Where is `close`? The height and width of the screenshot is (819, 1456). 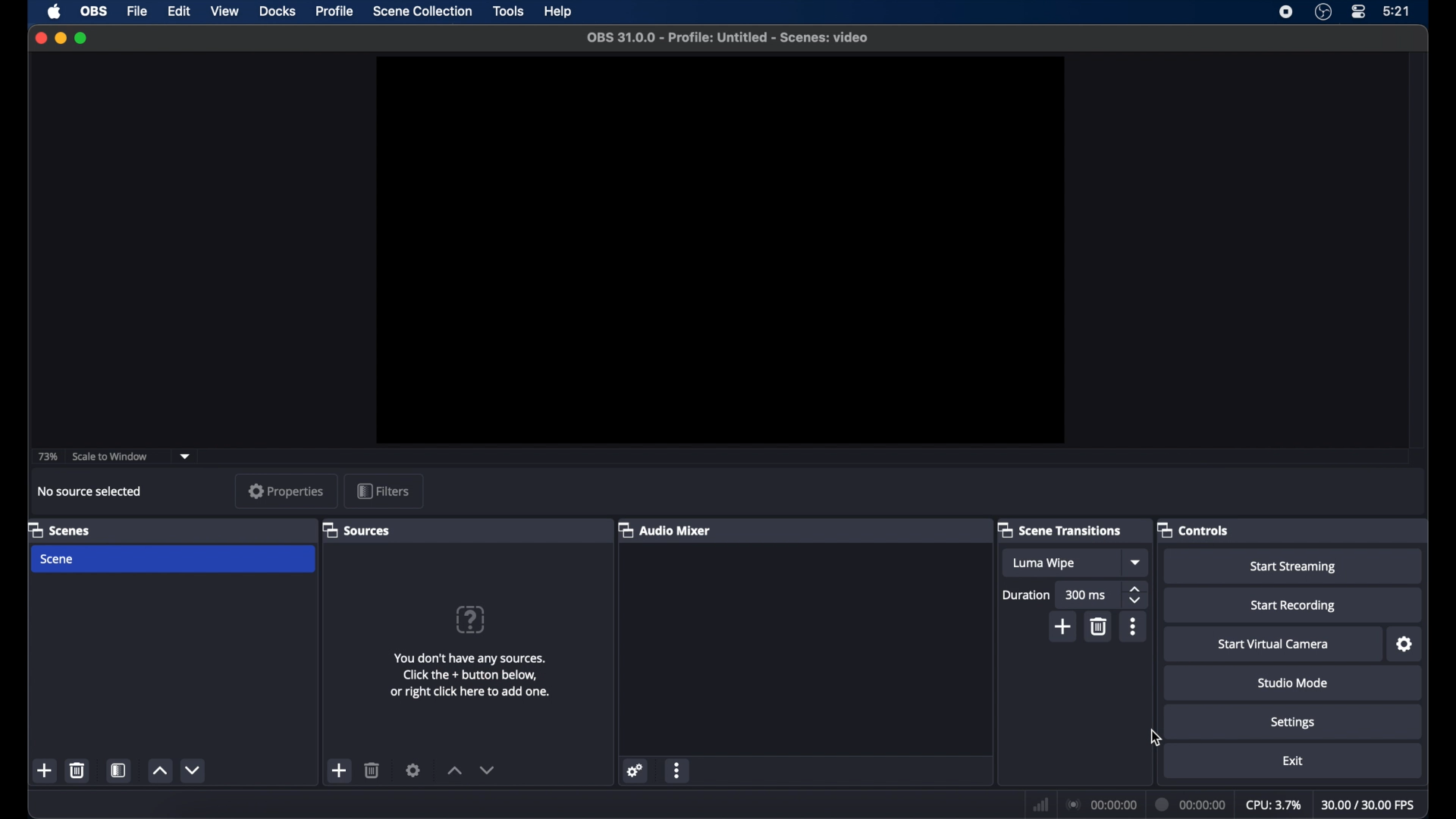 close is located at coordinates (41, 36).